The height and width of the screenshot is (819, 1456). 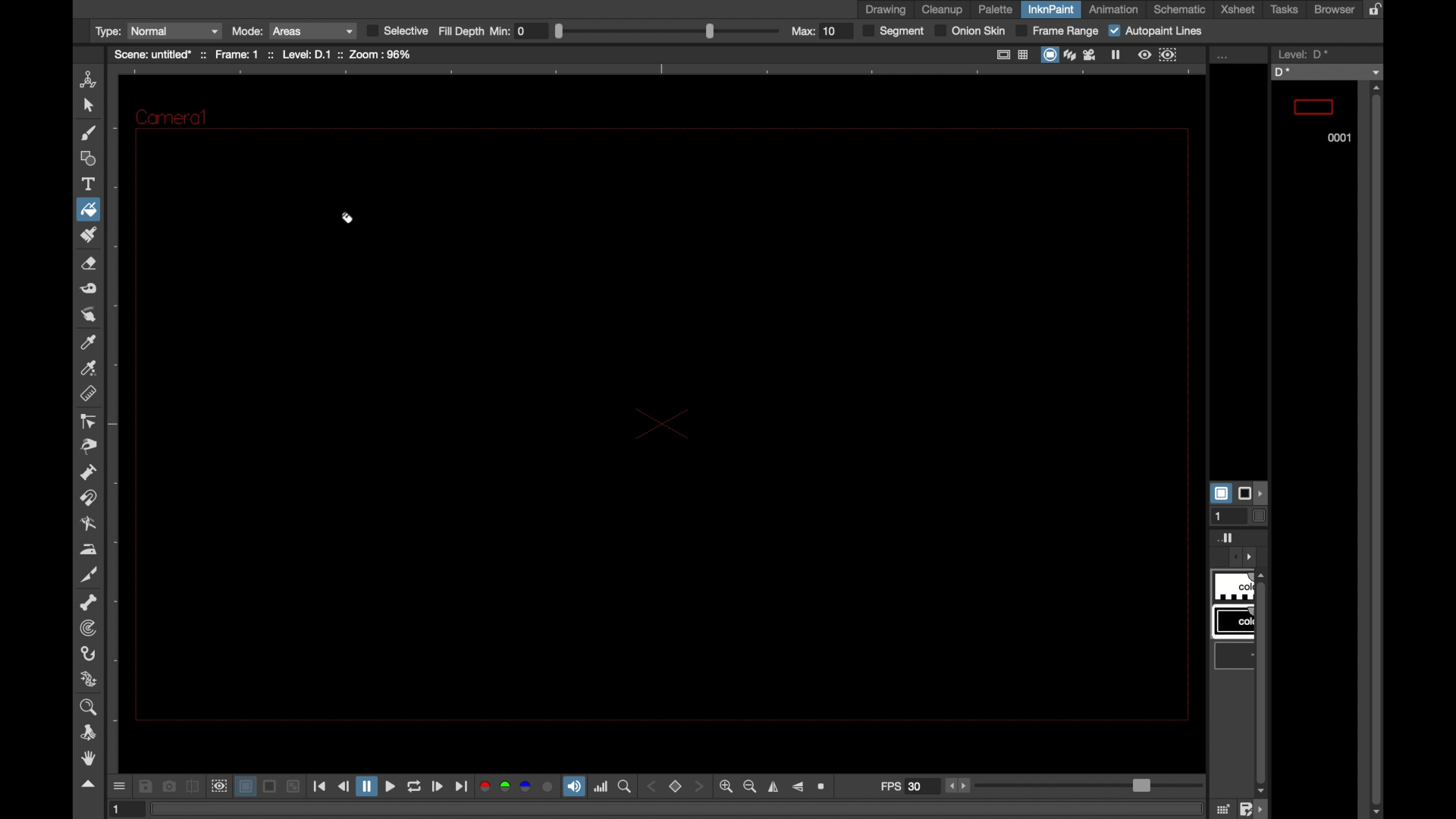 I want to click on zoom, so click(x=625, y=787).